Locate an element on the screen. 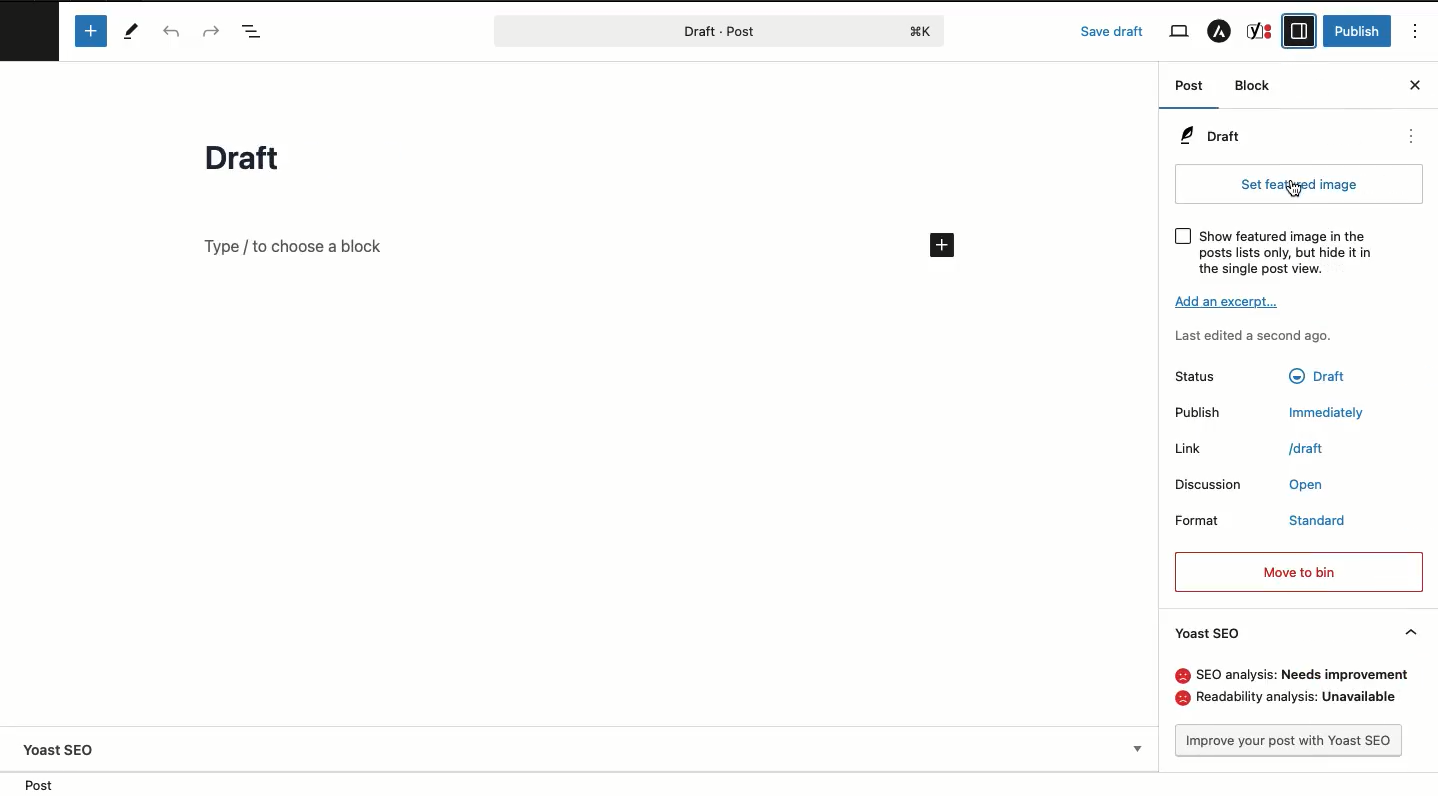  Status is located at coordinates (1196, 376).